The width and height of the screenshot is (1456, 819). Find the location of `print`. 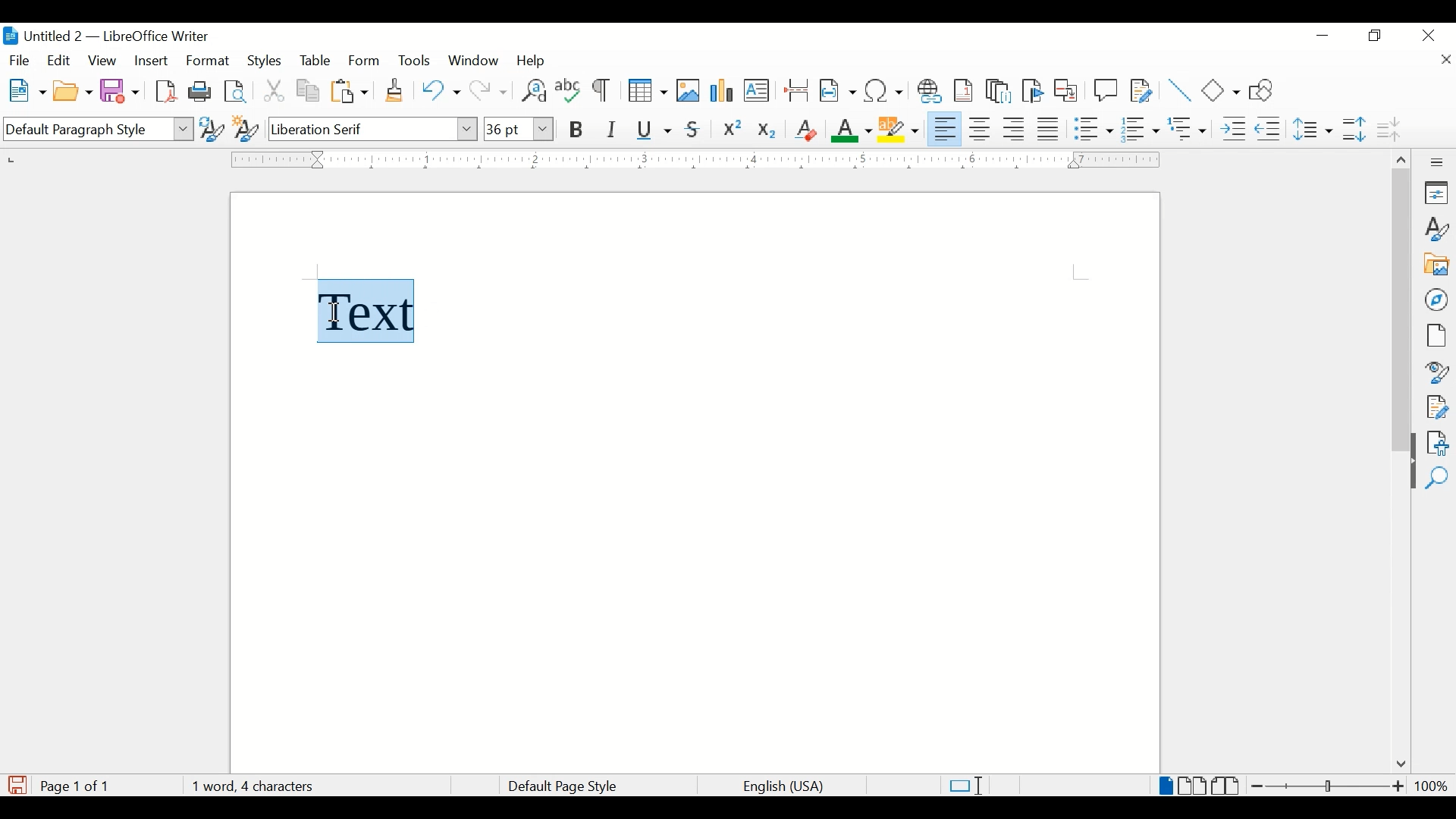

print is located at coordinates (200, 90).